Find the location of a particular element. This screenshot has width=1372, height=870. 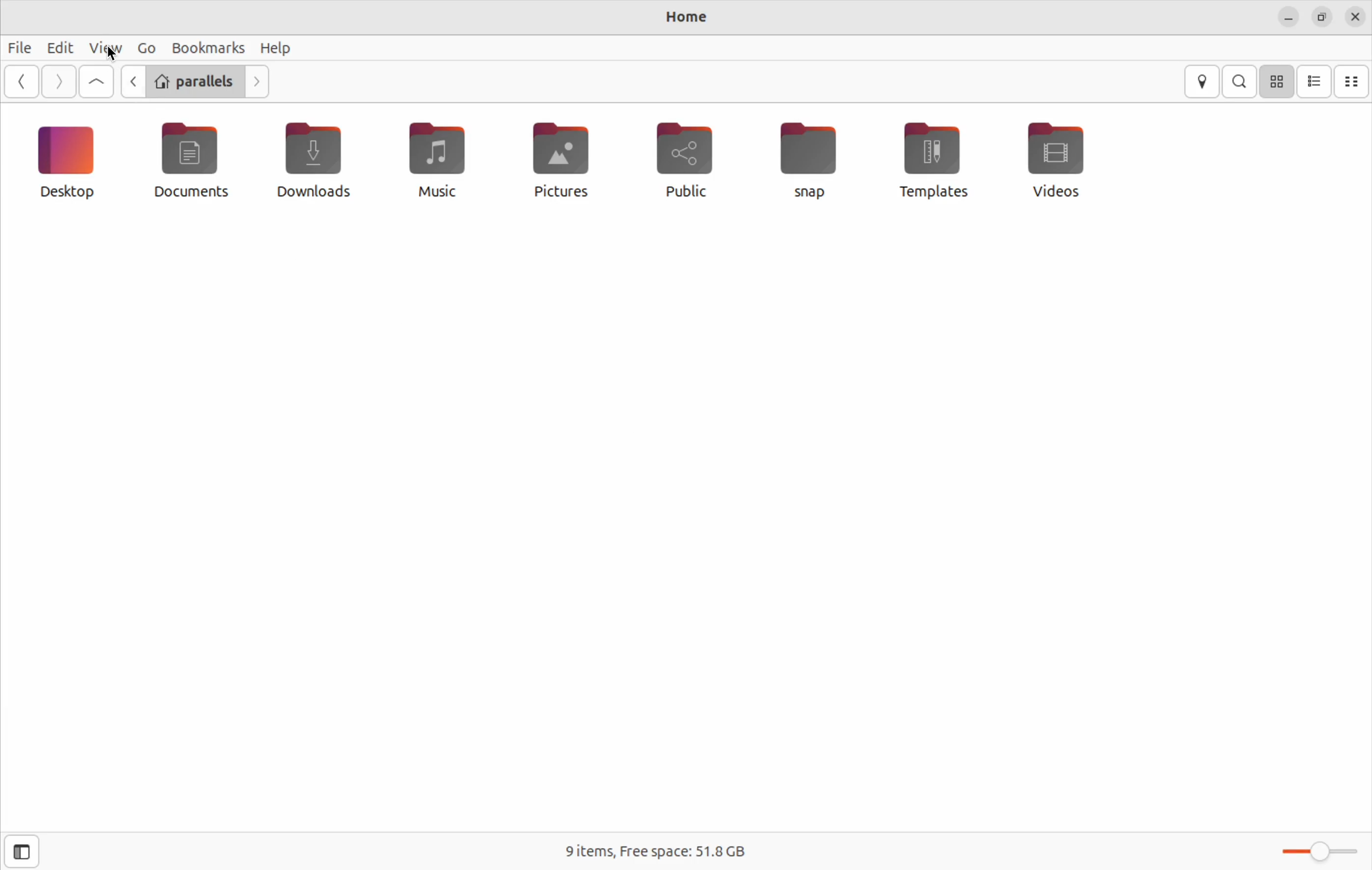

snap files is located at coordinates (816, 160).